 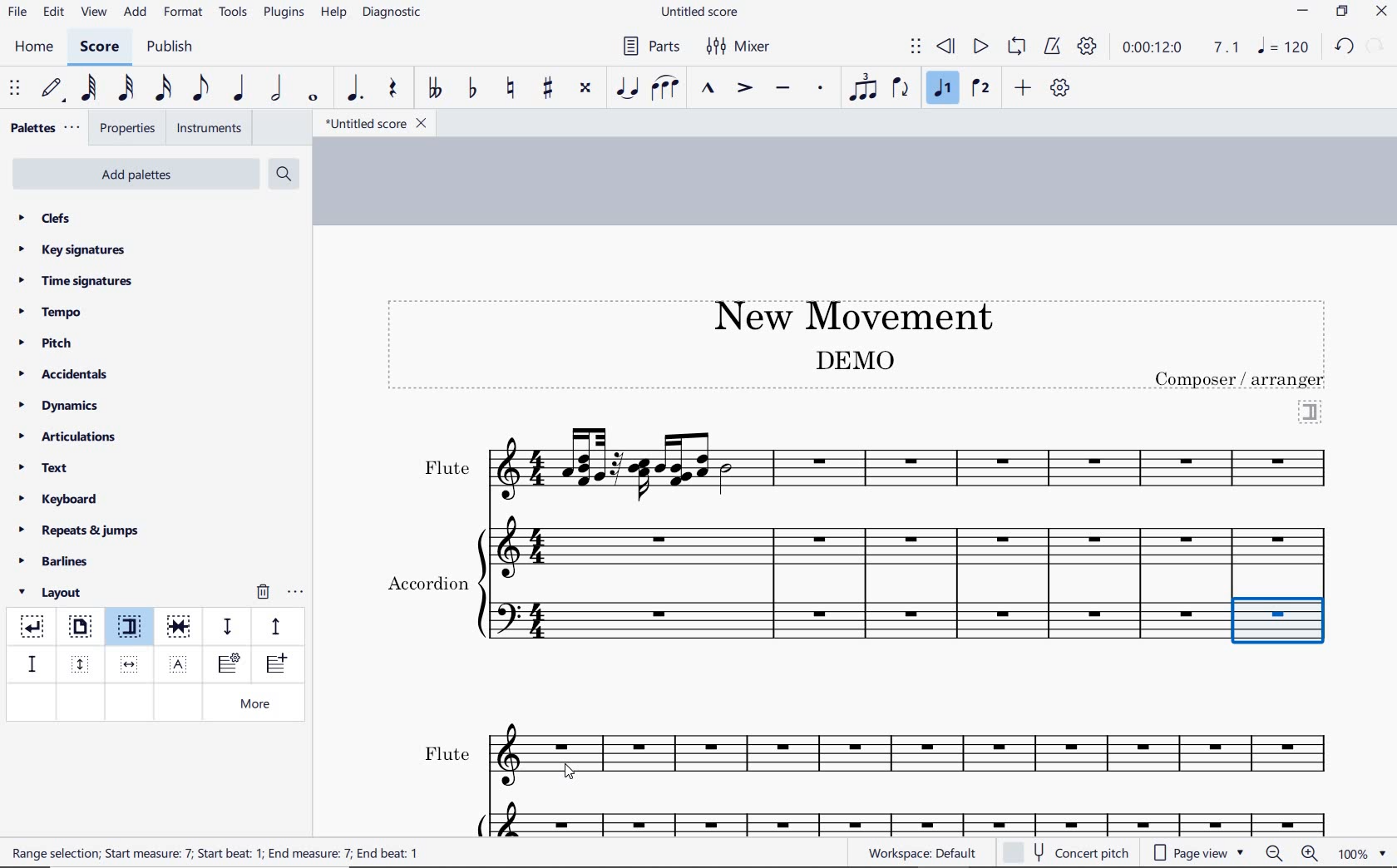 What do you see at coordinates (33, 47) in the screenshot?
I see `home` at bounding box center [33, 47].